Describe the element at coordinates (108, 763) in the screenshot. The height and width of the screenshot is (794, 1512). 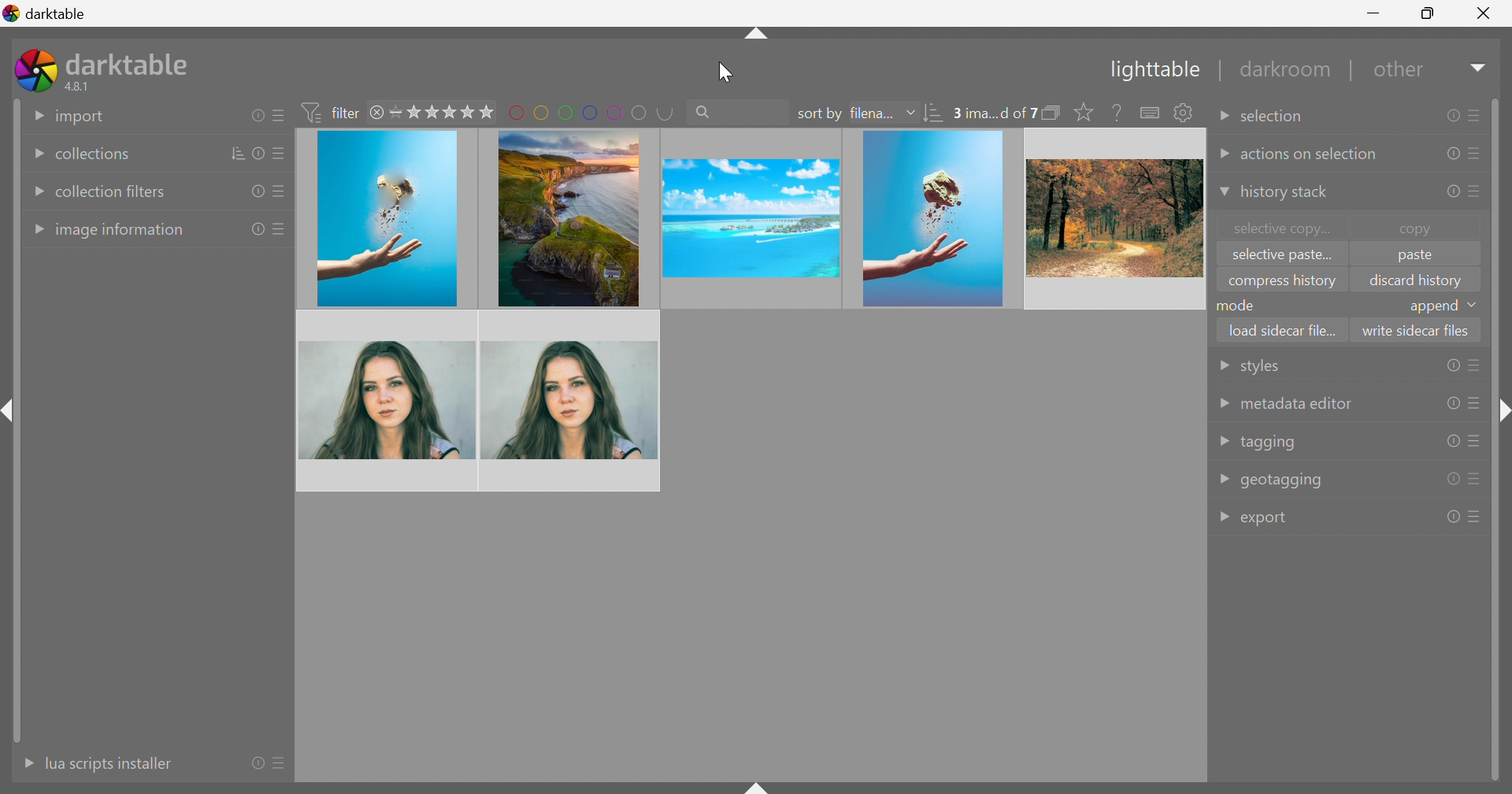
I see `lua scripts instaler` at that location.